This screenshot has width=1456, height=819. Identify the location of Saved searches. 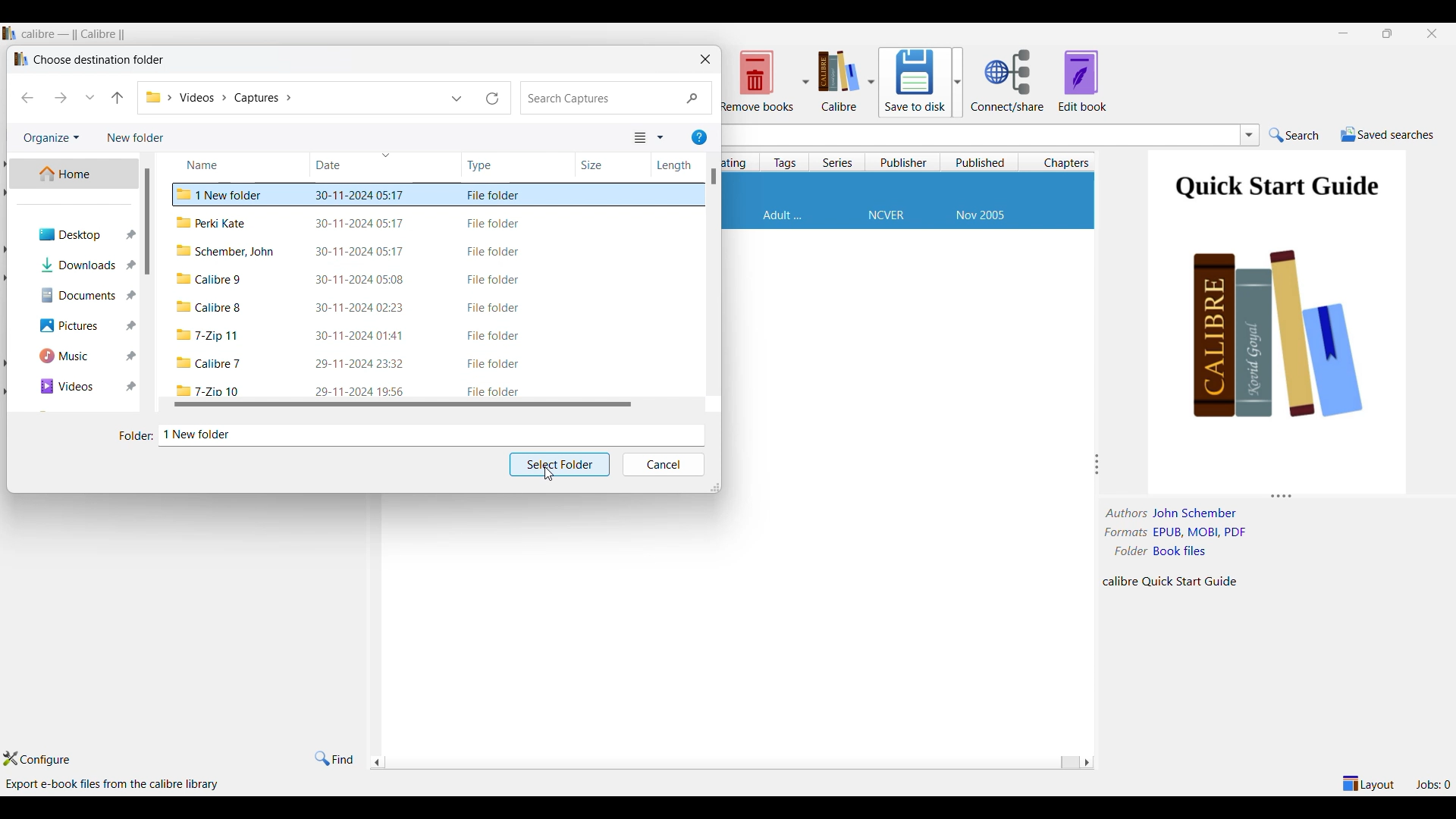
(1388, 134).